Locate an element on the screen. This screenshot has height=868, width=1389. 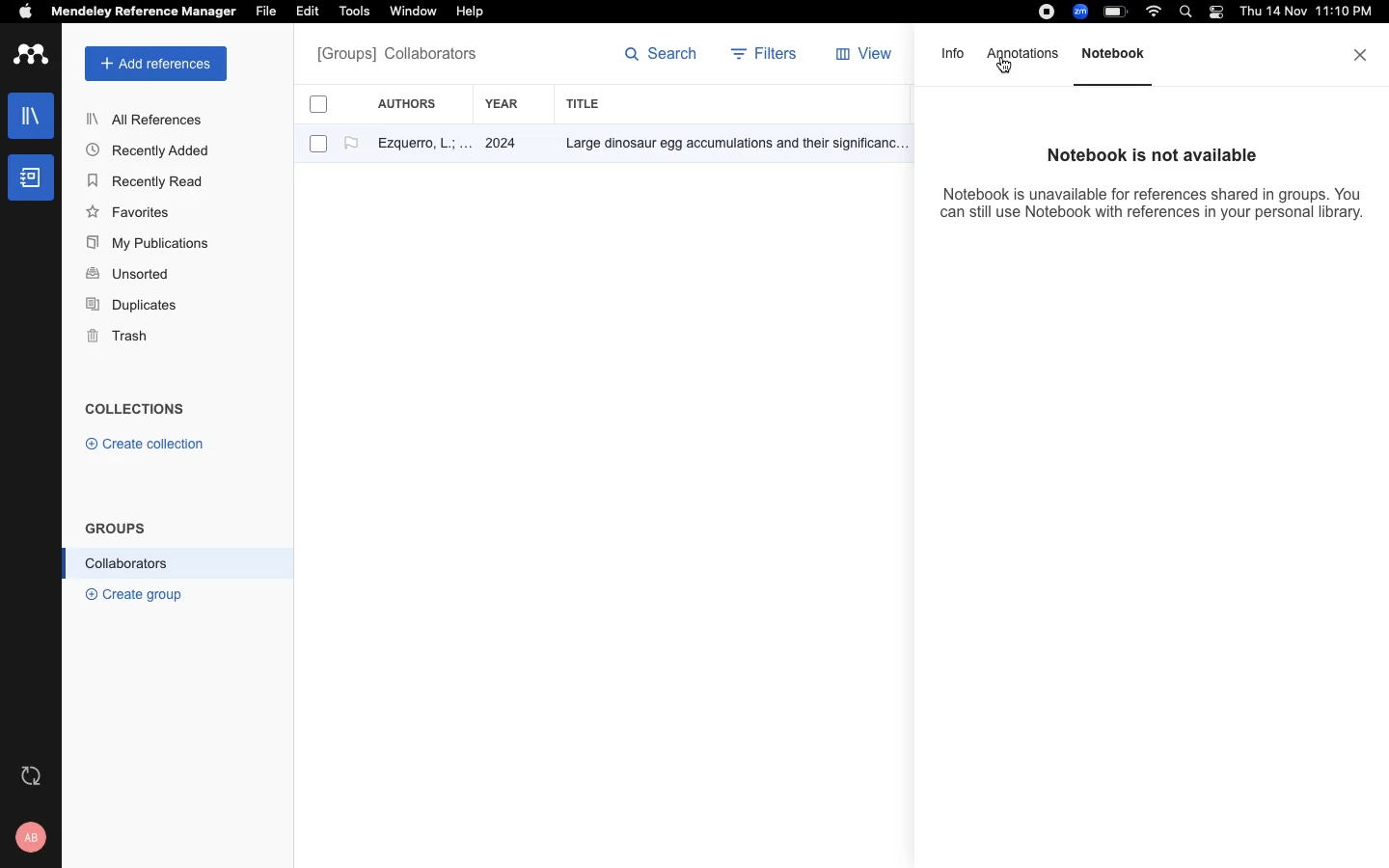
Unsorted is located at coordinates (130, 275).